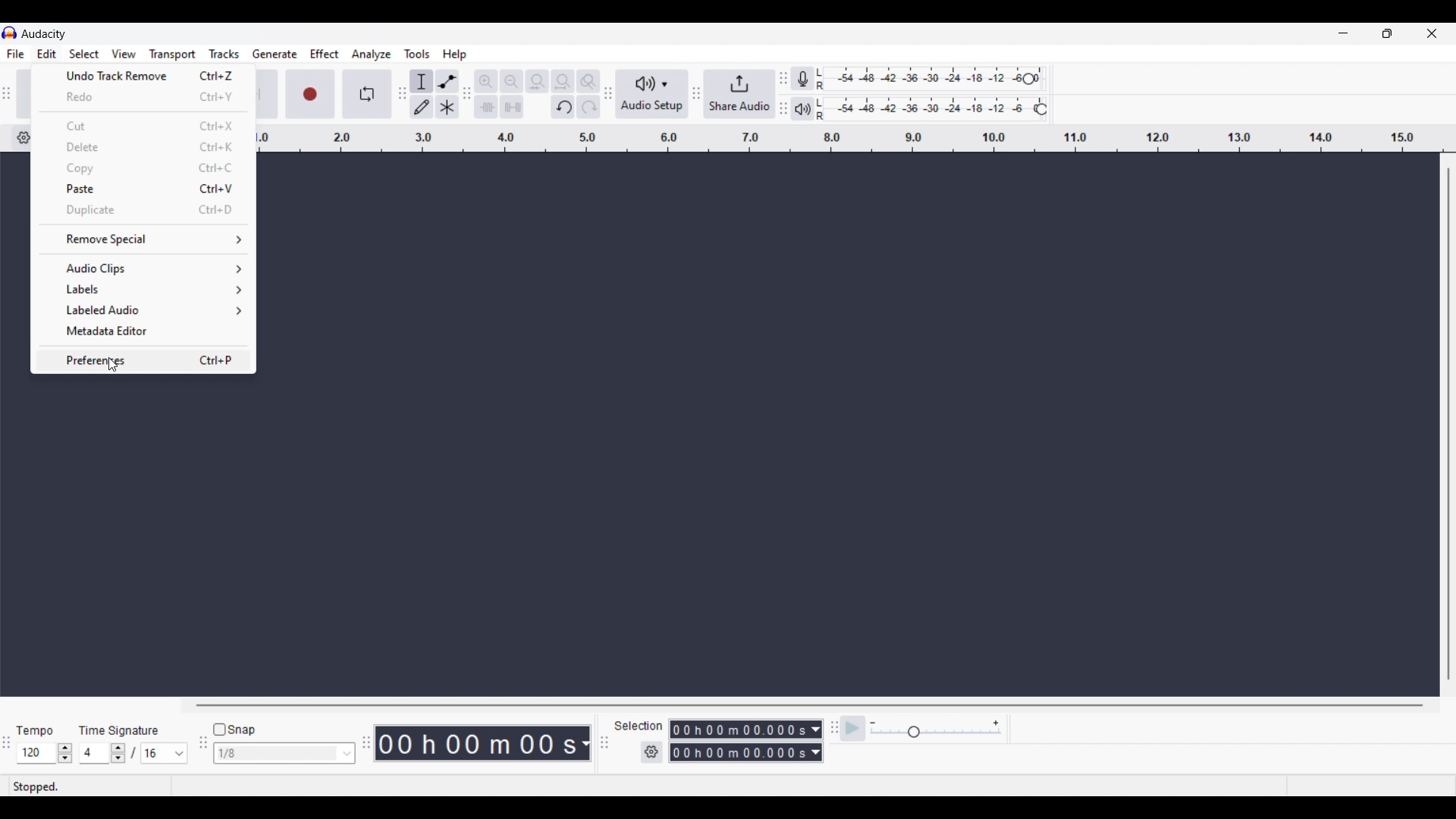 This screenshot has width=1456, height=819. Describe the element at coordinates (936, 733) in the screenshot. I see `Slider to change playback speed` at that location.